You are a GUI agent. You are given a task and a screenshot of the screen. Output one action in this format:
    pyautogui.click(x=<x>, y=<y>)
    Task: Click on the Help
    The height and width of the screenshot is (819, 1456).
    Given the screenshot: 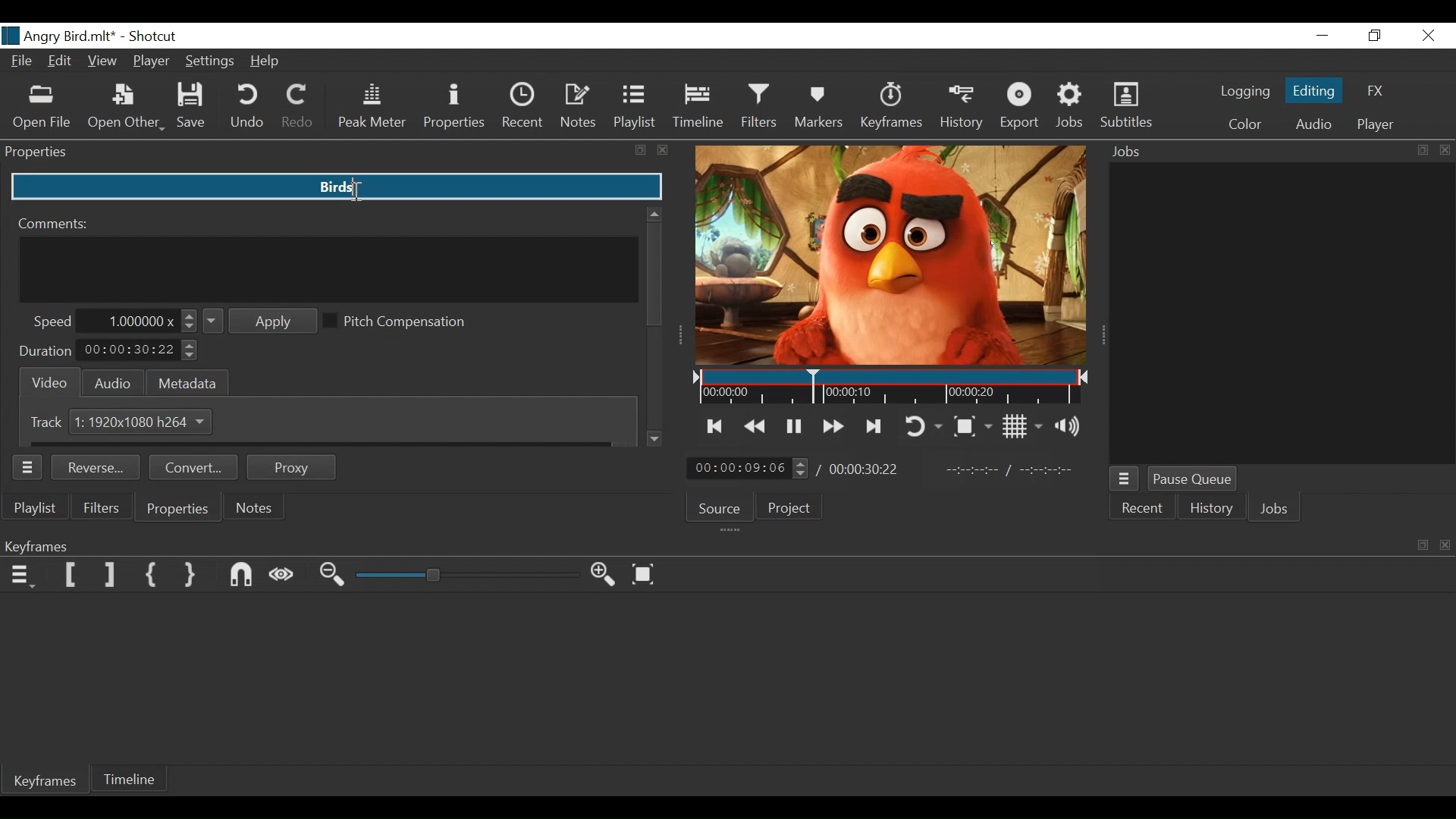 What is the action you would take?
    pyautogui.click(x=267, y=62)
    